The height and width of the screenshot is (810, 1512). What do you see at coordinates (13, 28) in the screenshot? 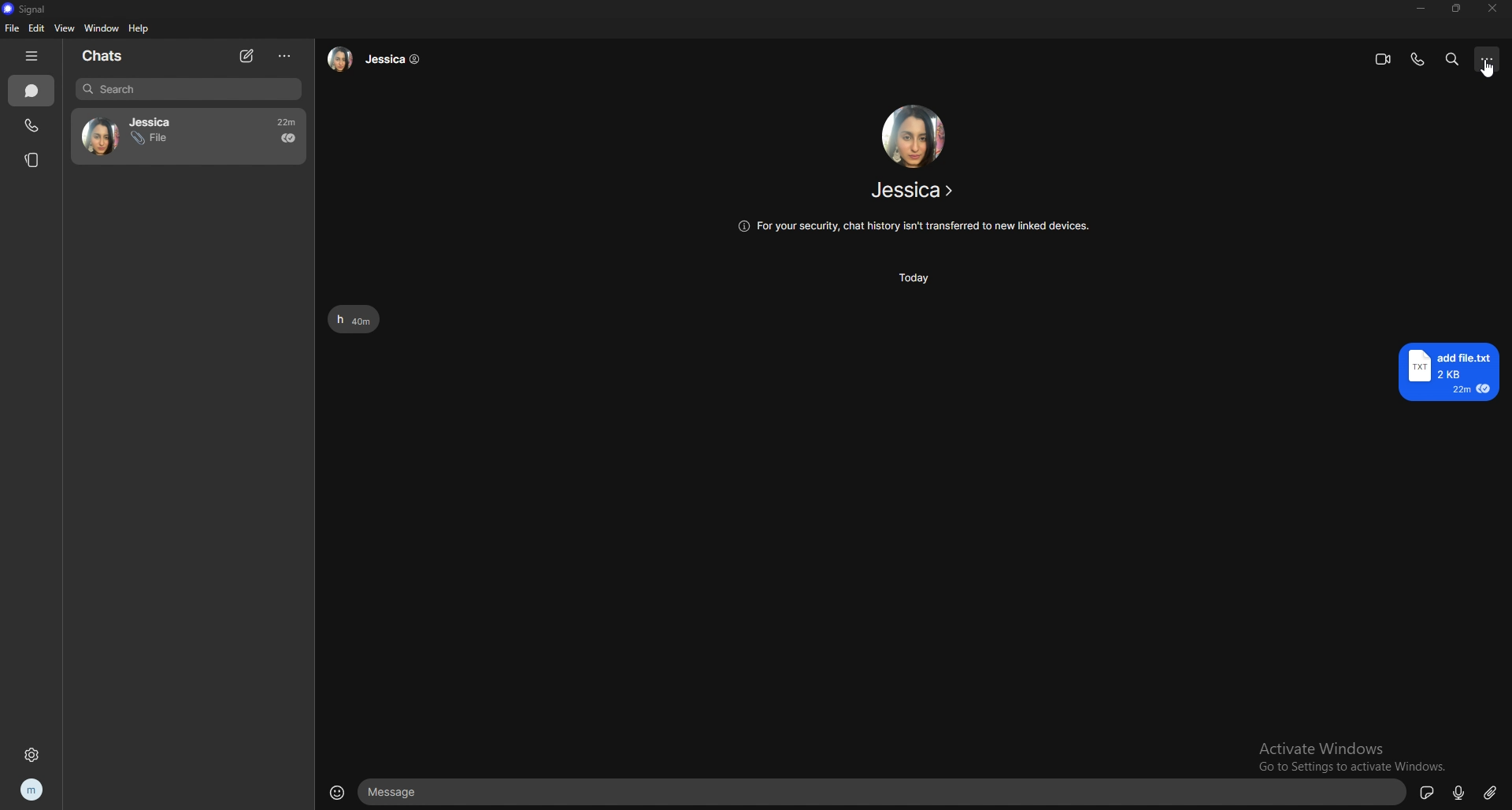
I see `file` at bounding box center [13, 28].